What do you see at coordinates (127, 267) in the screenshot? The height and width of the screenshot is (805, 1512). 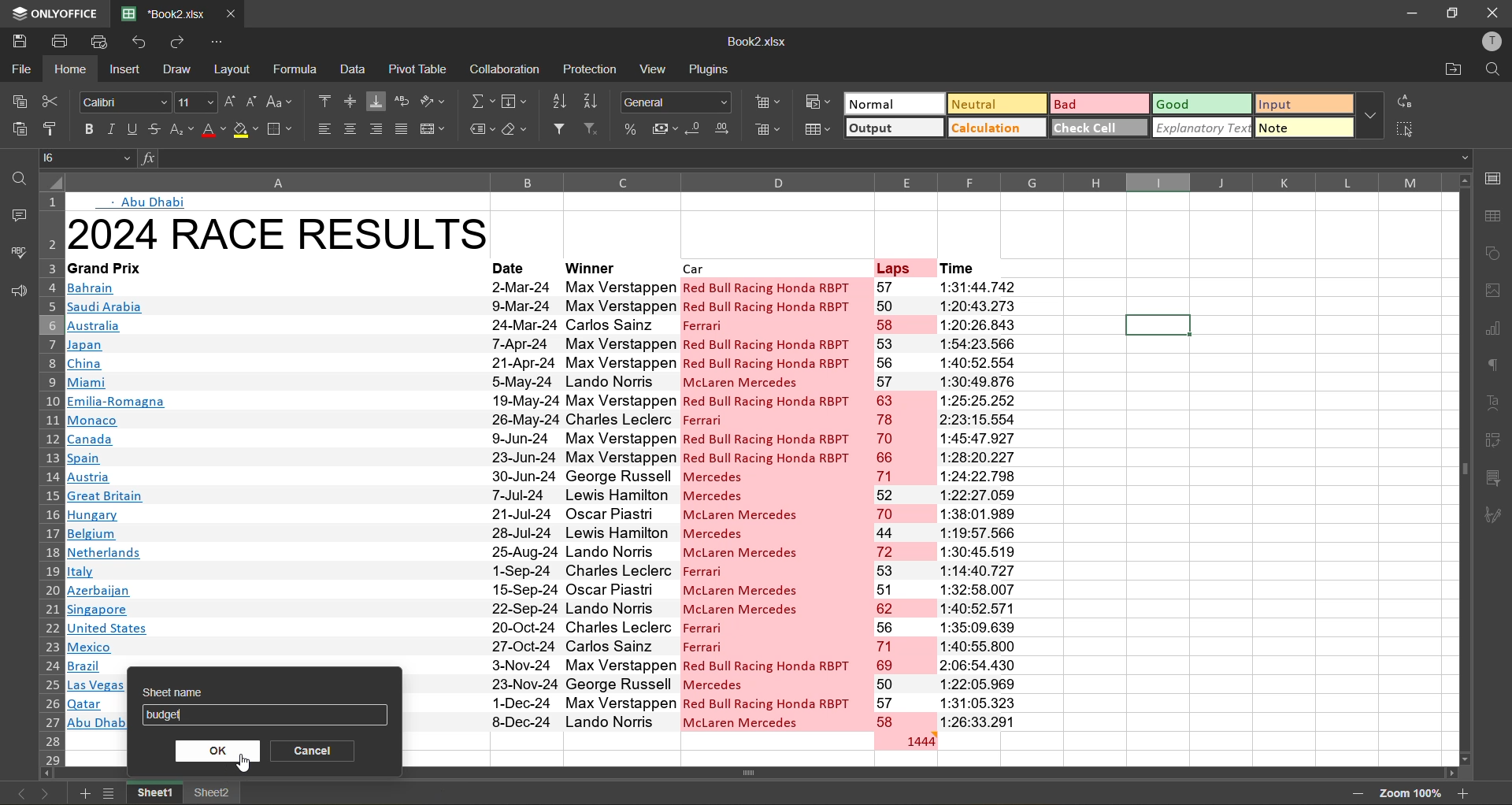 I see `grand prix` at bounding box center [127, 267].